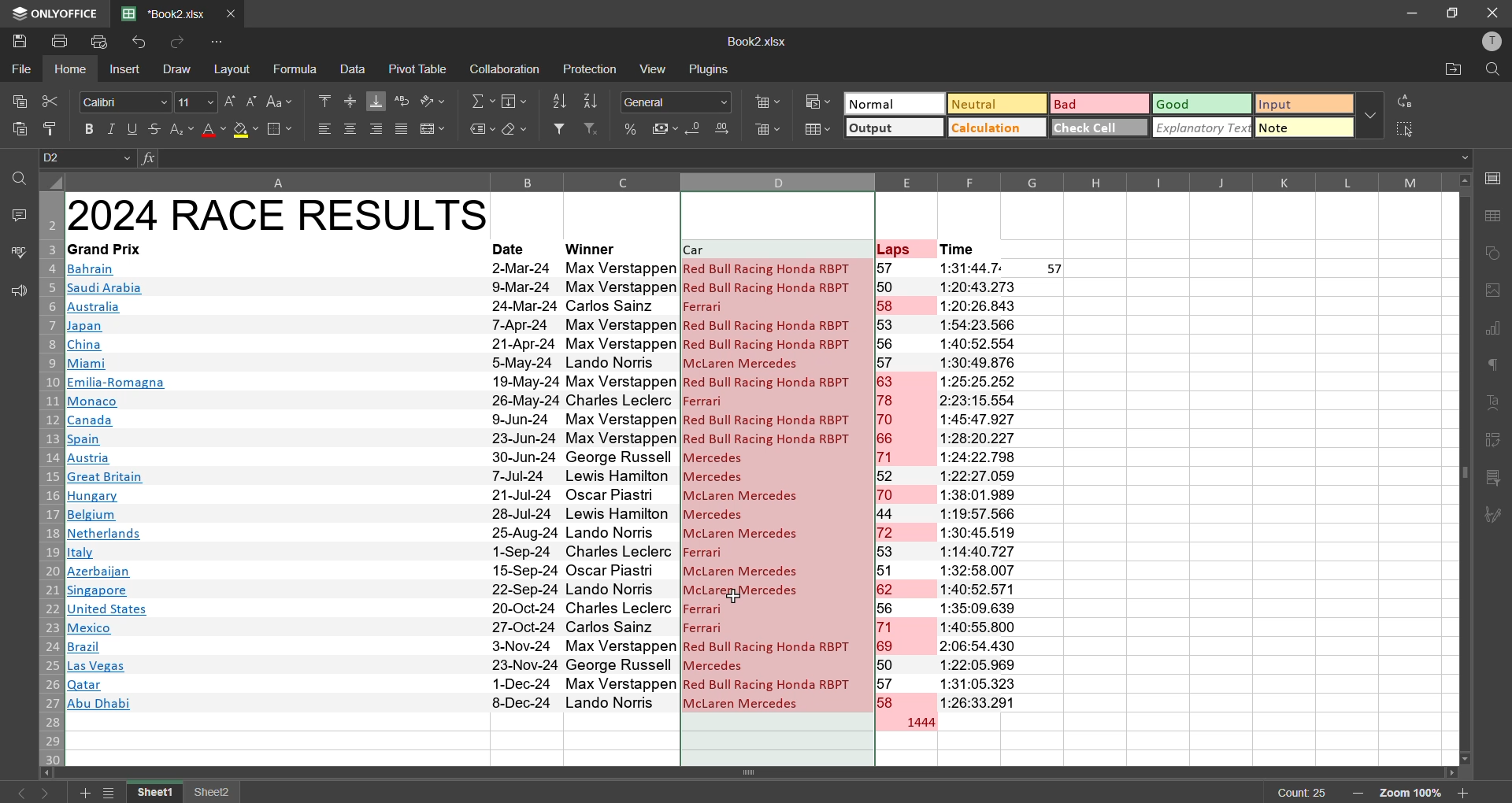  I want to click on maximize, so click(1454, 12).